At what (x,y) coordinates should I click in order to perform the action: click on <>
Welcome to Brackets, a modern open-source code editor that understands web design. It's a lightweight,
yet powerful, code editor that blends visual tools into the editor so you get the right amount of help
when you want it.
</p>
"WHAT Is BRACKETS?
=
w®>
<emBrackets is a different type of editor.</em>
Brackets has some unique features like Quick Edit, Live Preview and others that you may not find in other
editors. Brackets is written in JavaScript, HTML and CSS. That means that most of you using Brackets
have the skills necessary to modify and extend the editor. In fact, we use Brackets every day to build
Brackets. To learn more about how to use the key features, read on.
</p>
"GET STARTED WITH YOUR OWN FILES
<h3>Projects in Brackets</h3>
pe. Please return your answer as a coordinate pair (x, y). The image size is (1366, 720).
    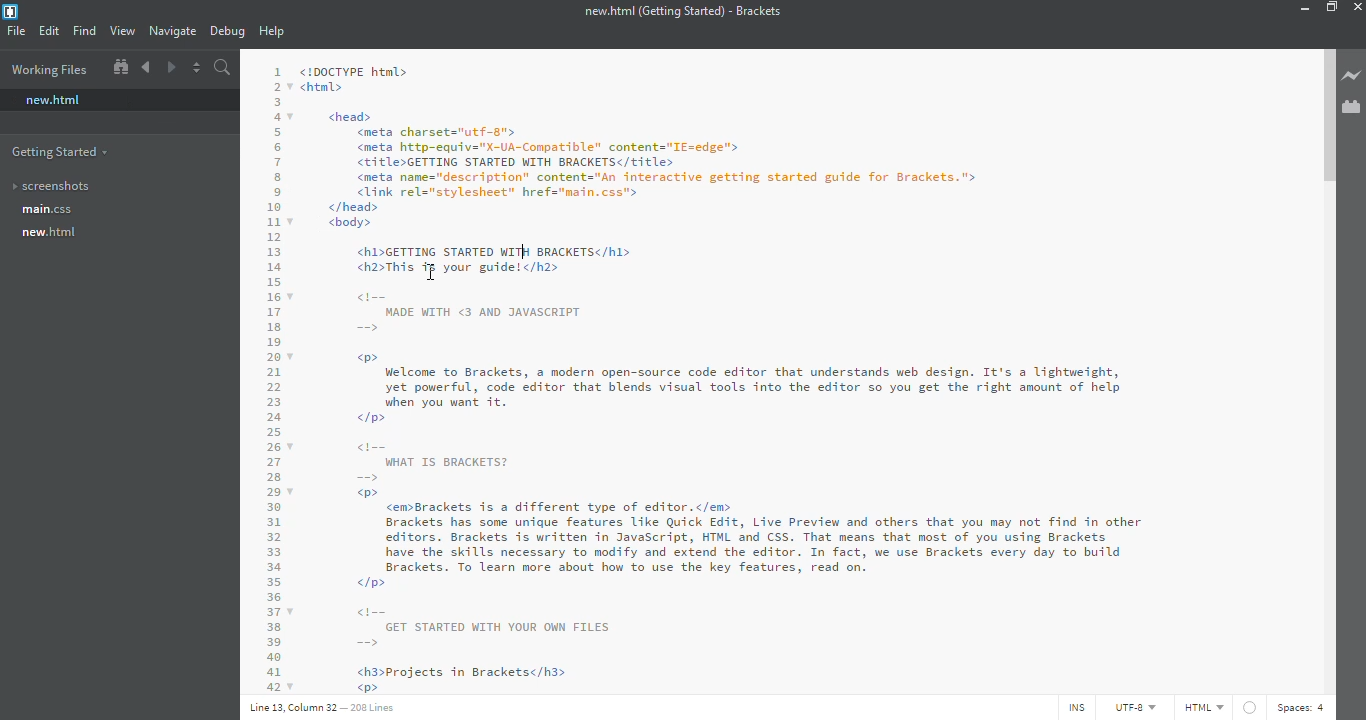
    Looking at the image, I should click on (726, 521).